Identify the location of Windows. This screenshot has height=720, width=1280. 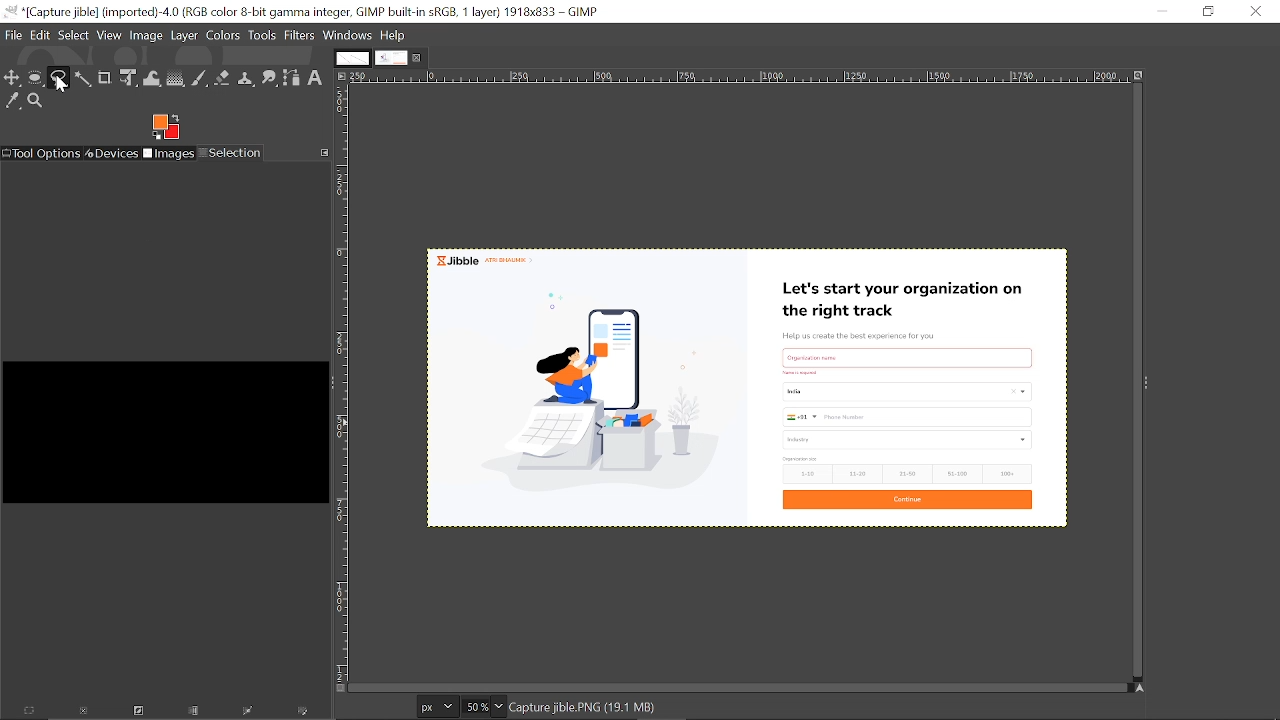
(348, 35).